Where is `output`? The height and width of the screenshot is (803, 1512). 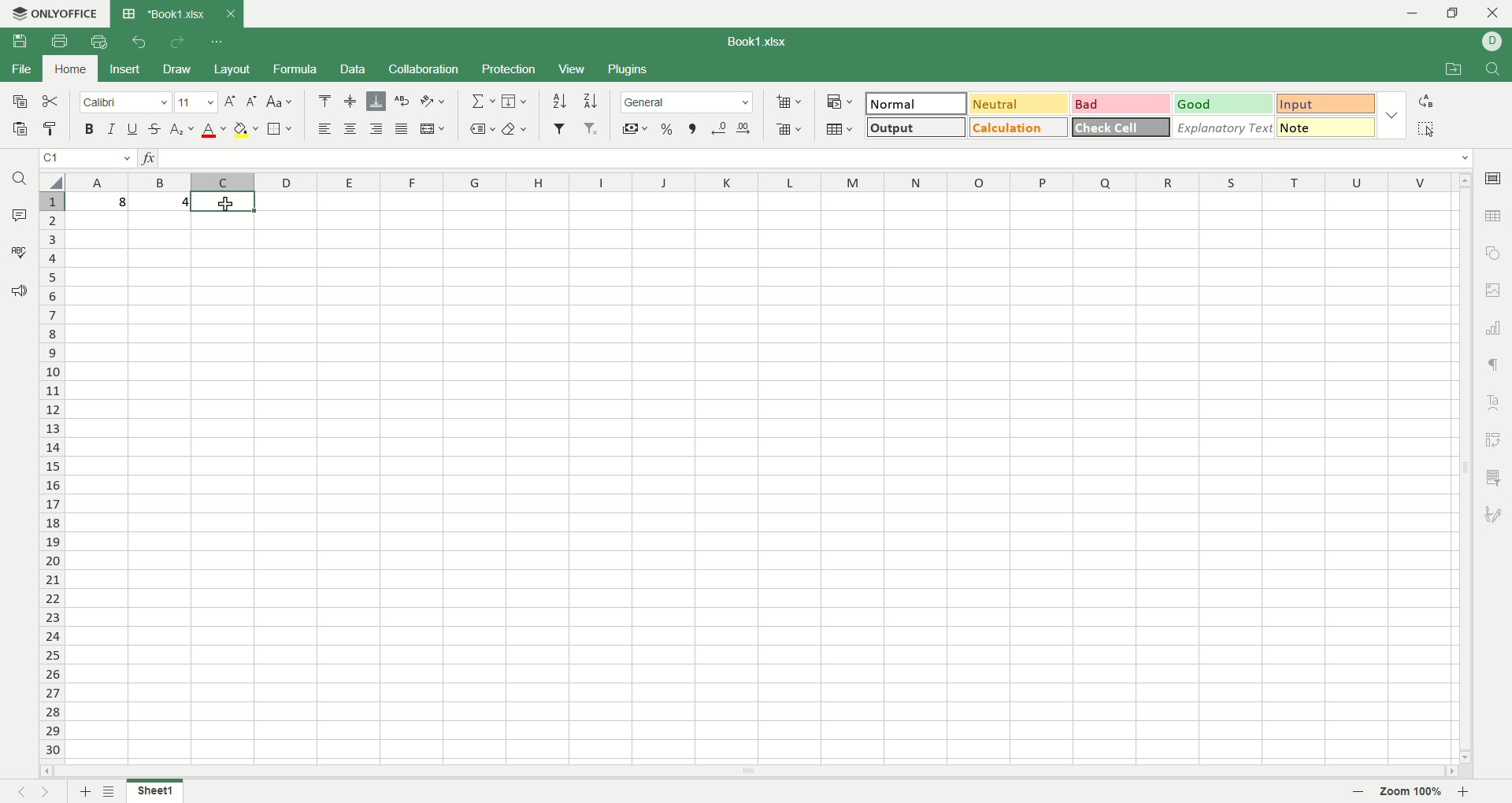
output is located at coordinates (917, 128).